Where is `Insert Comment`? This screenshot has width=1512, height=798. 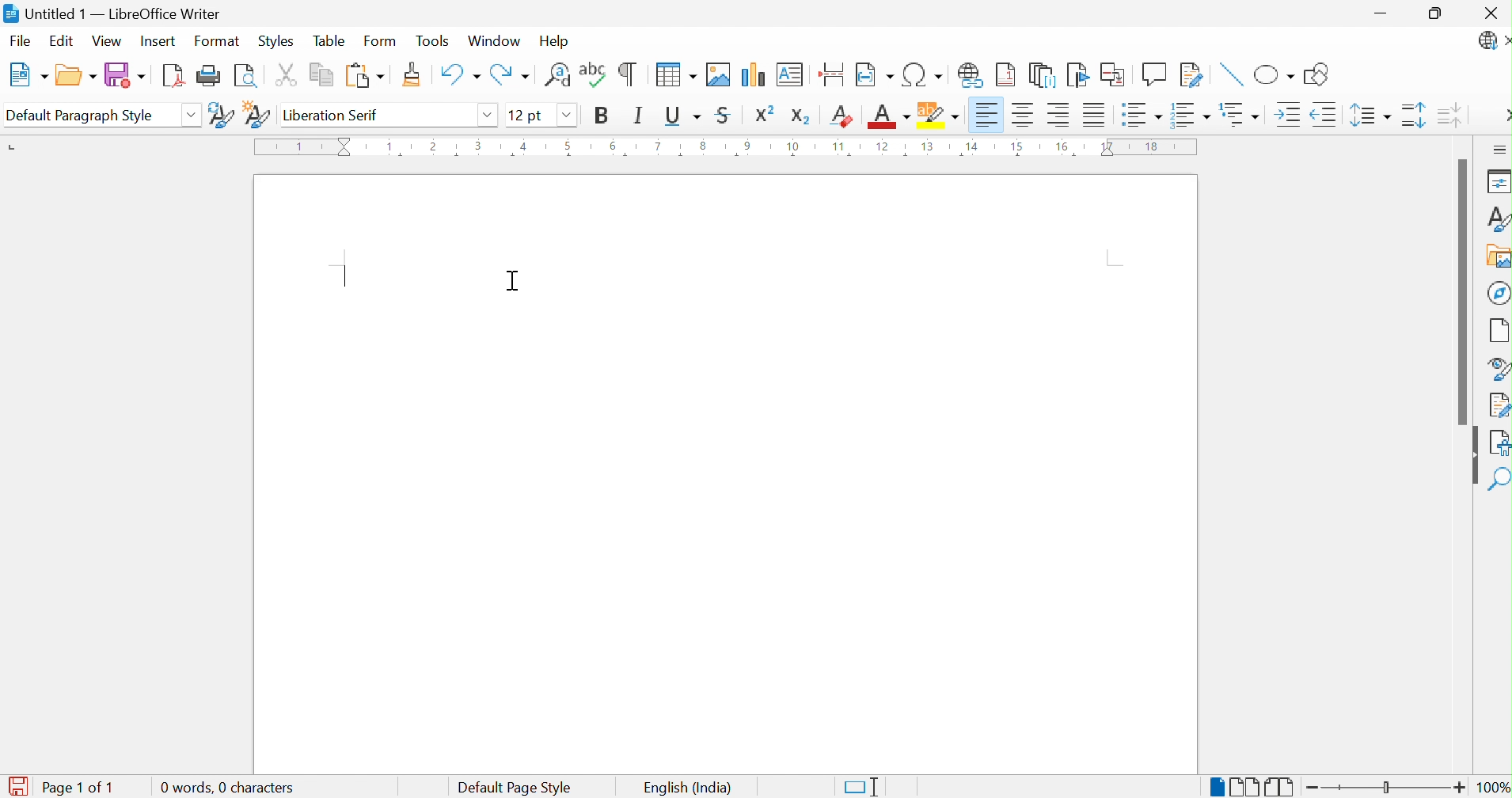 Insert Comment is located at coordinates (1155, 74).